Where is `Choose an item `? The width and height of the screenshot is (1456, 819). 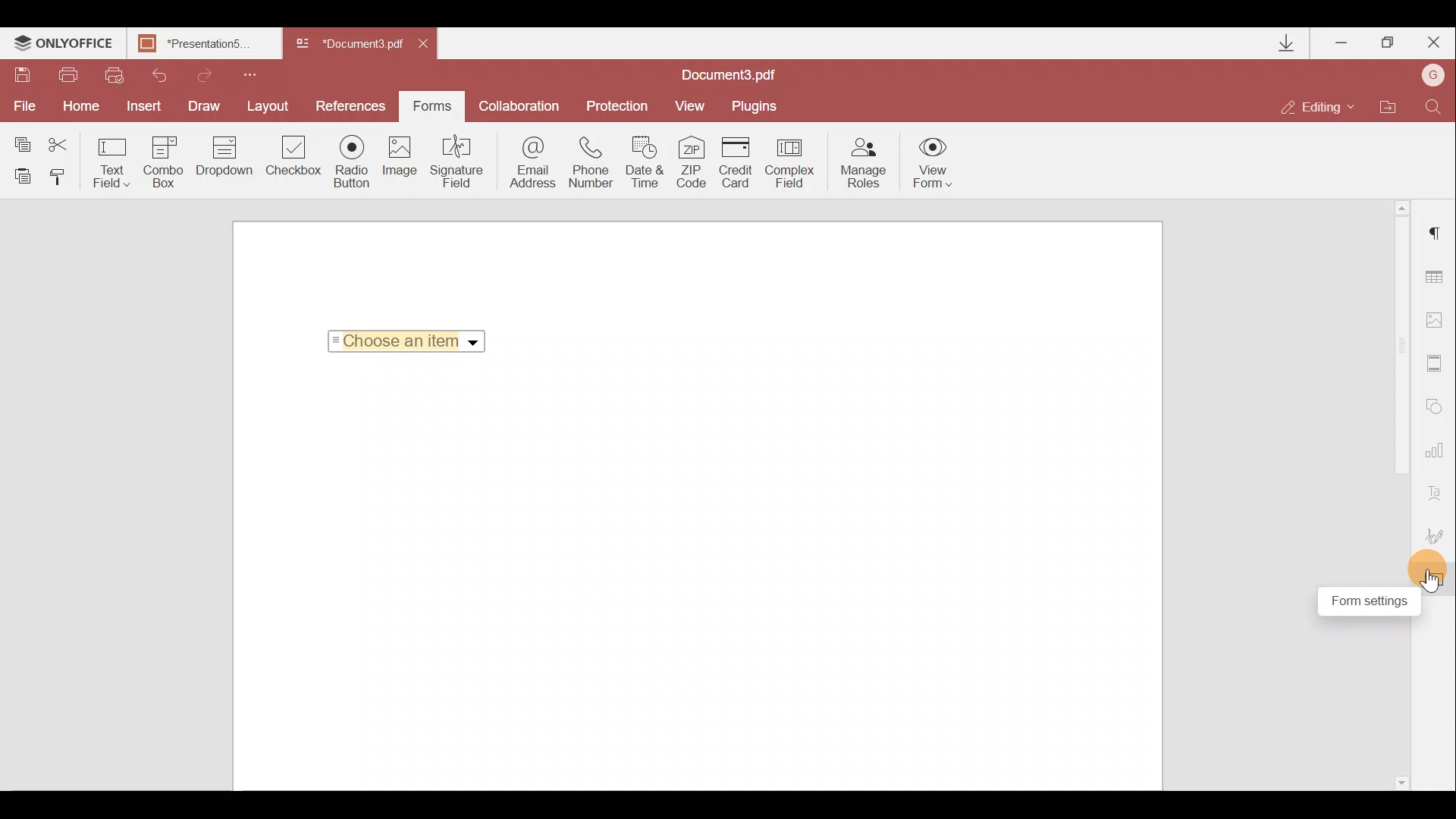
Choose an item  is located at coordinates (414, 339).